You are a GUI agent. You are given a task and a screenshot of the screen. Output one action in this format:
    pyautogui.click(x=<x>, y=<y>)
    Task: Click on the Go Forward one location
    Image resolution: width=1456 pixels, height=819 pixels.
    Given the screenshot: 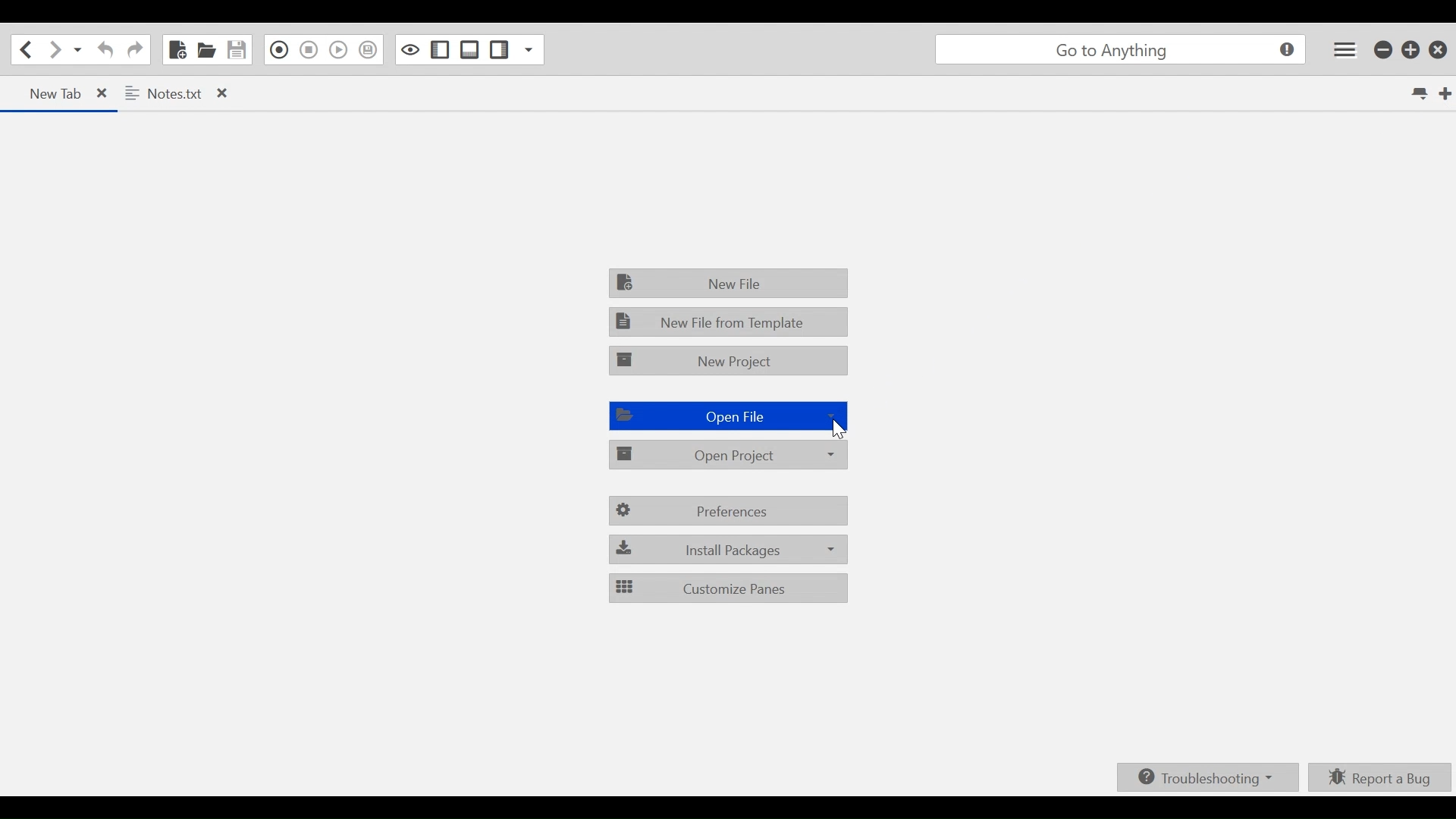 What is the action you would take?
    pyautogui.click(x=54, y=49)
    